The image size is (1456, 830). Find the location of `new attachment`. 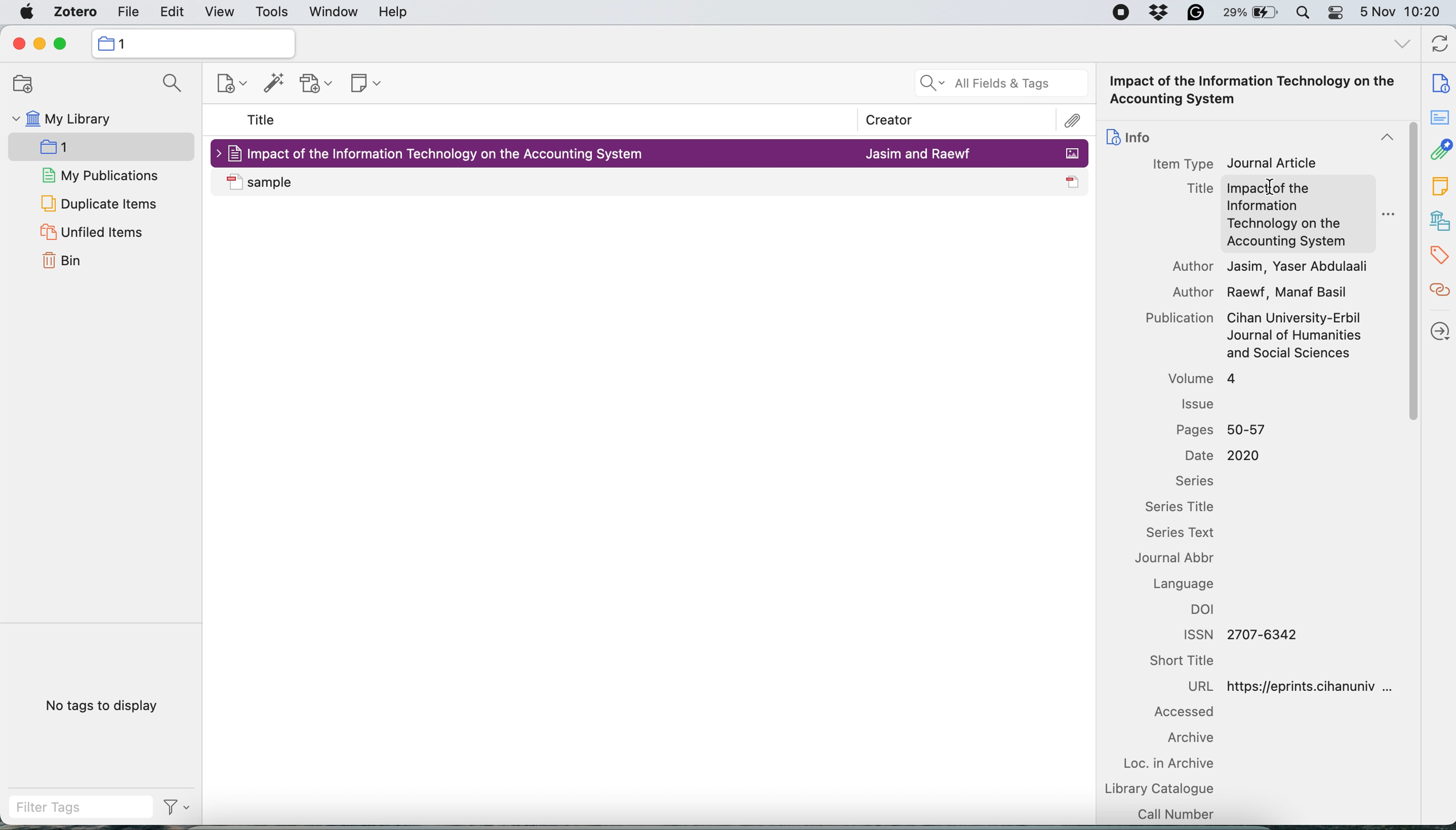

new attachment is located at coordinates (316, 85).